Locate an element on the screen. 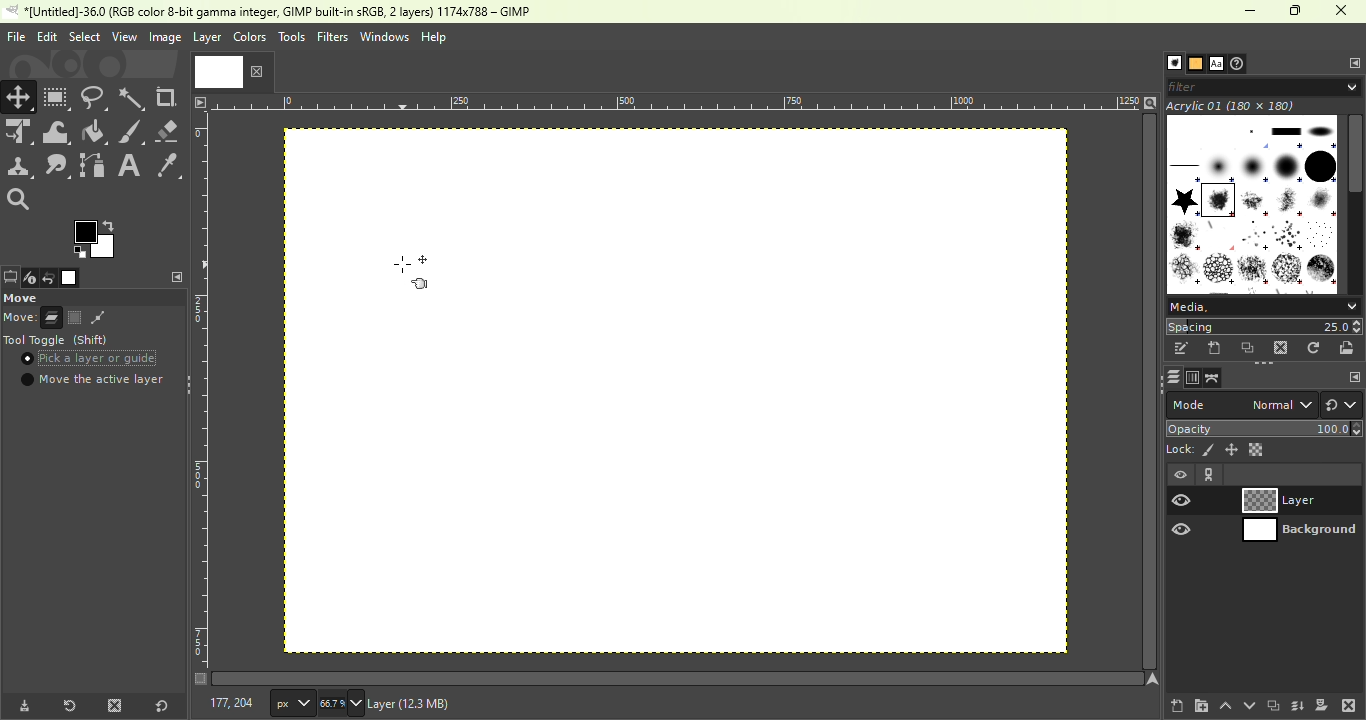  Help is located at coordinates (436, 37).